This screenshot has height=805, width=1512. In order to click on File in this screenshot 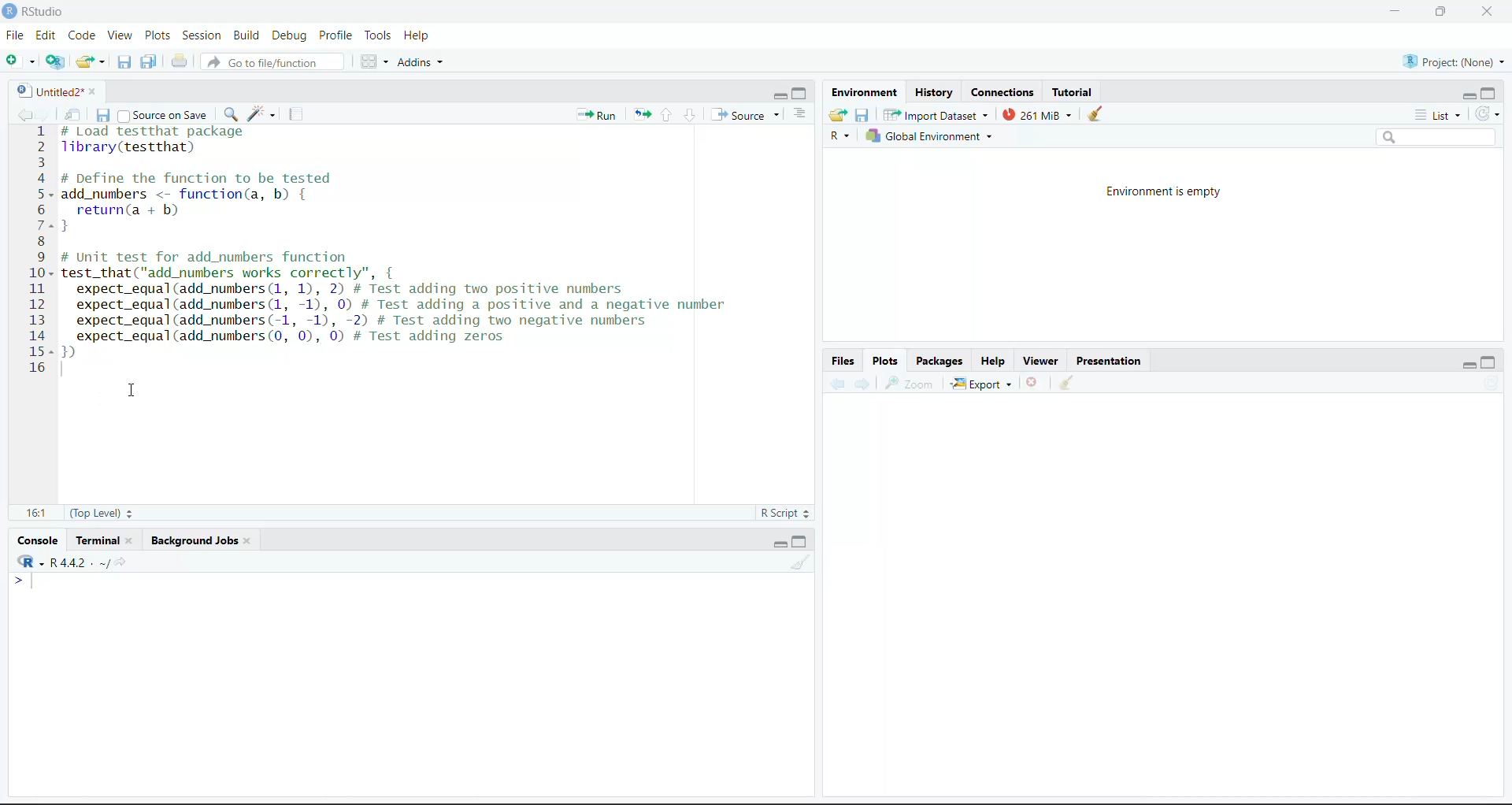, I will do `click(14, 35)`.